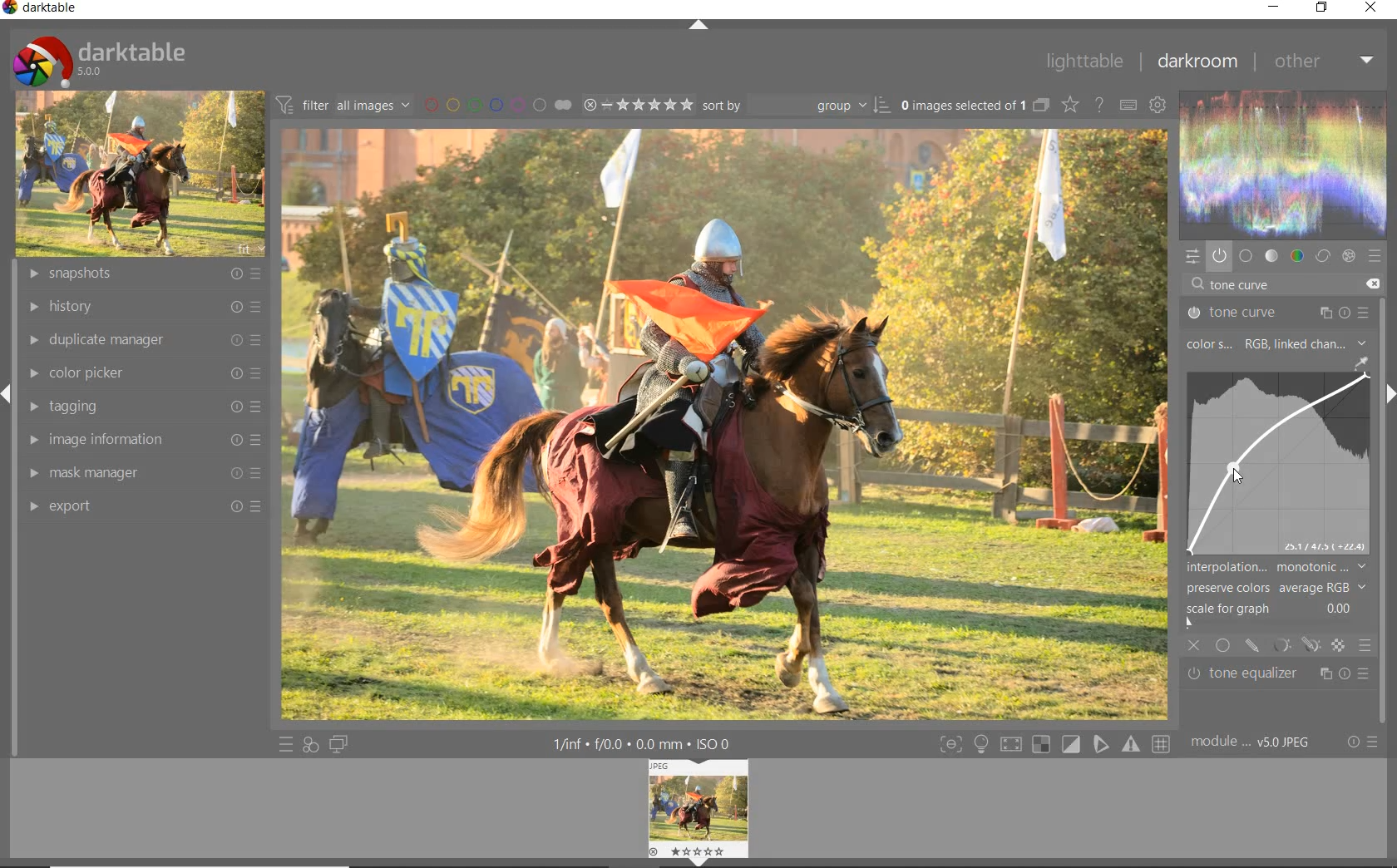 This screenshot has height=868, width=1397. I want to click on base, so click(1246, 257).